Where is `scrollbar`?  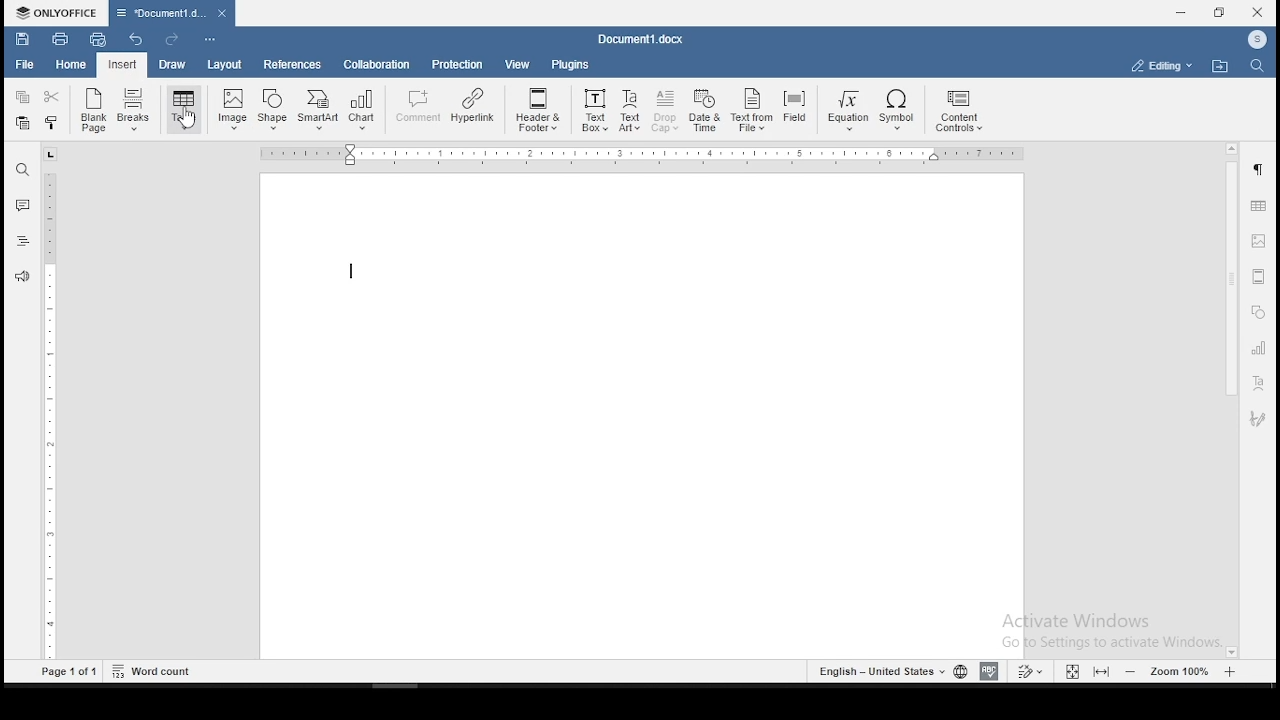 scrollbar is located at coordinates (1229, 400).